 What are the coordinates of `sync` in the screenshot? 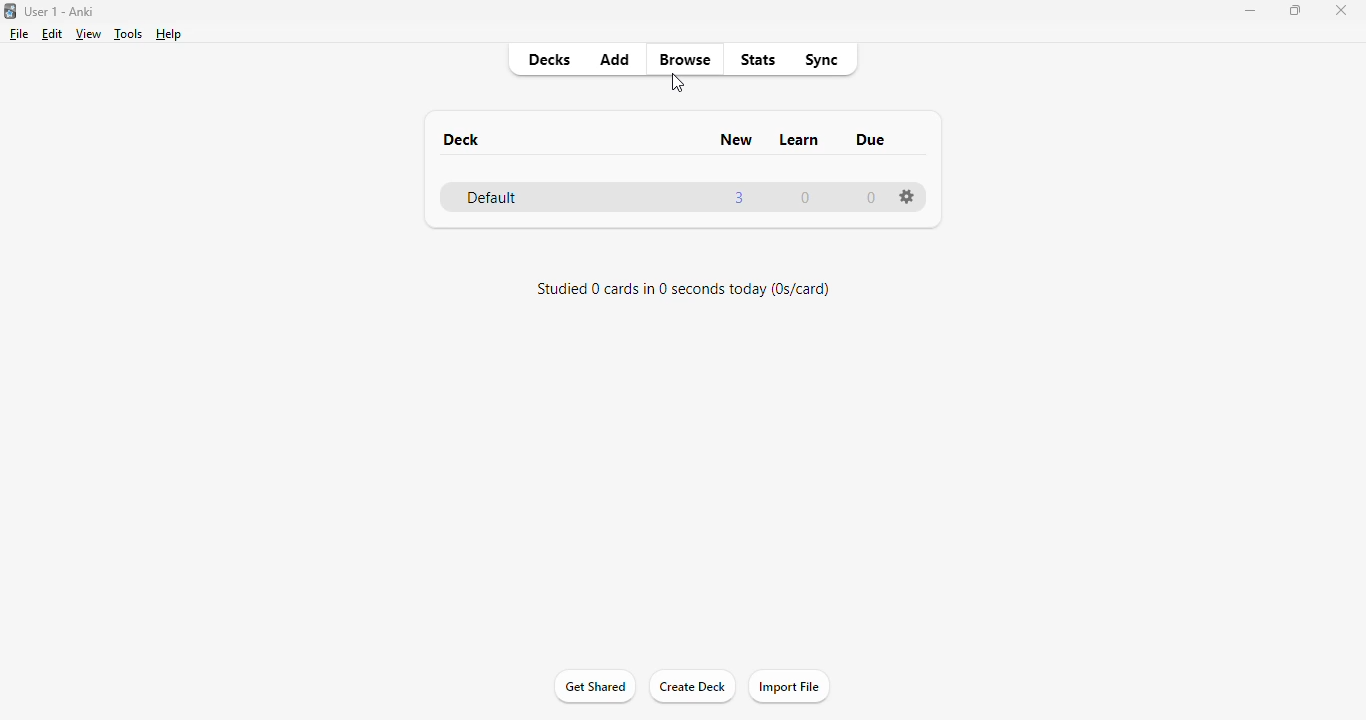 It's located at (824, 61).